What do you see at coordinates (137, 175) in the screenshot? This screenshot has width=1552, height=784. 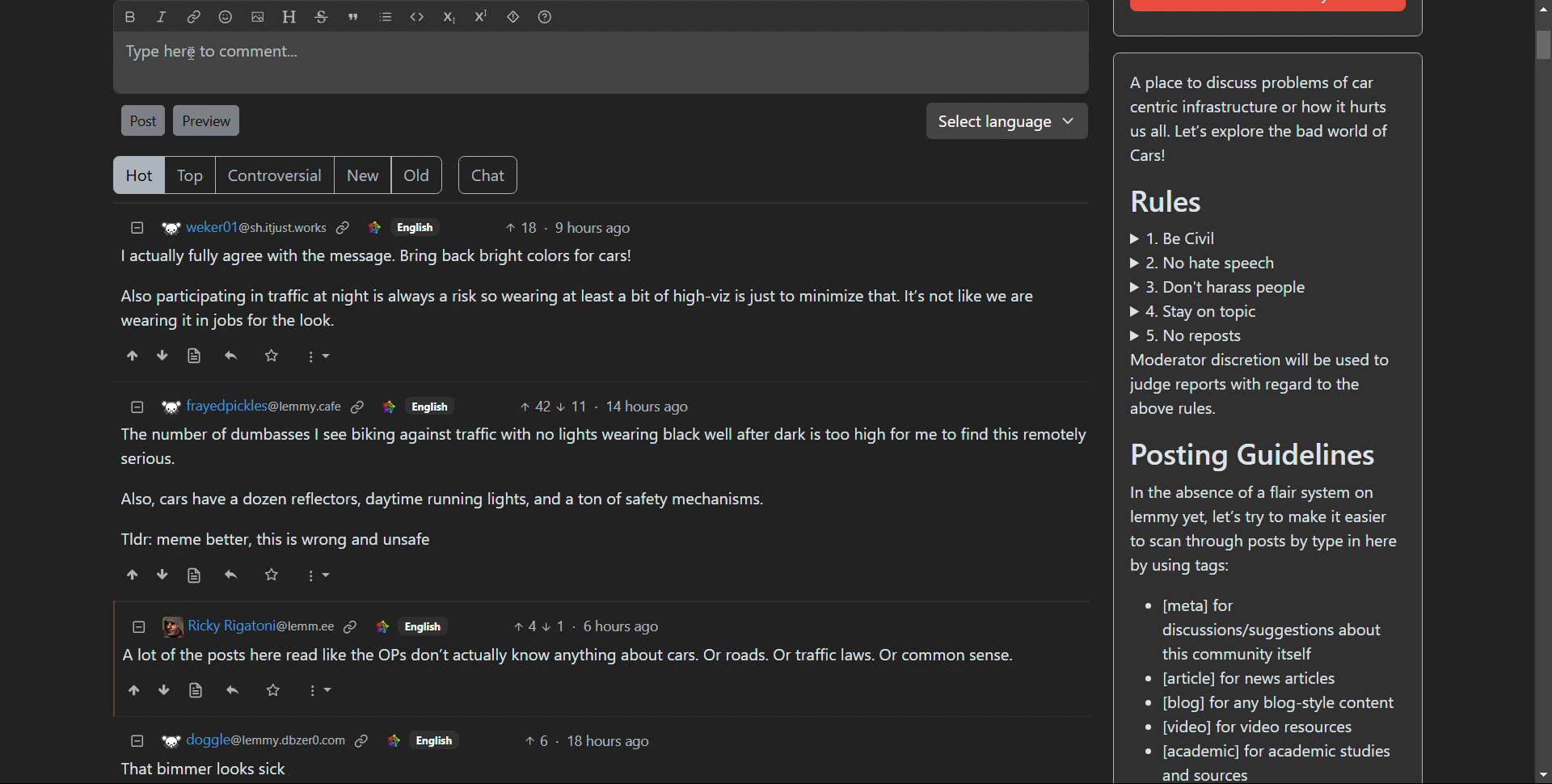 I see `hot` at bounding box center [137, 175].